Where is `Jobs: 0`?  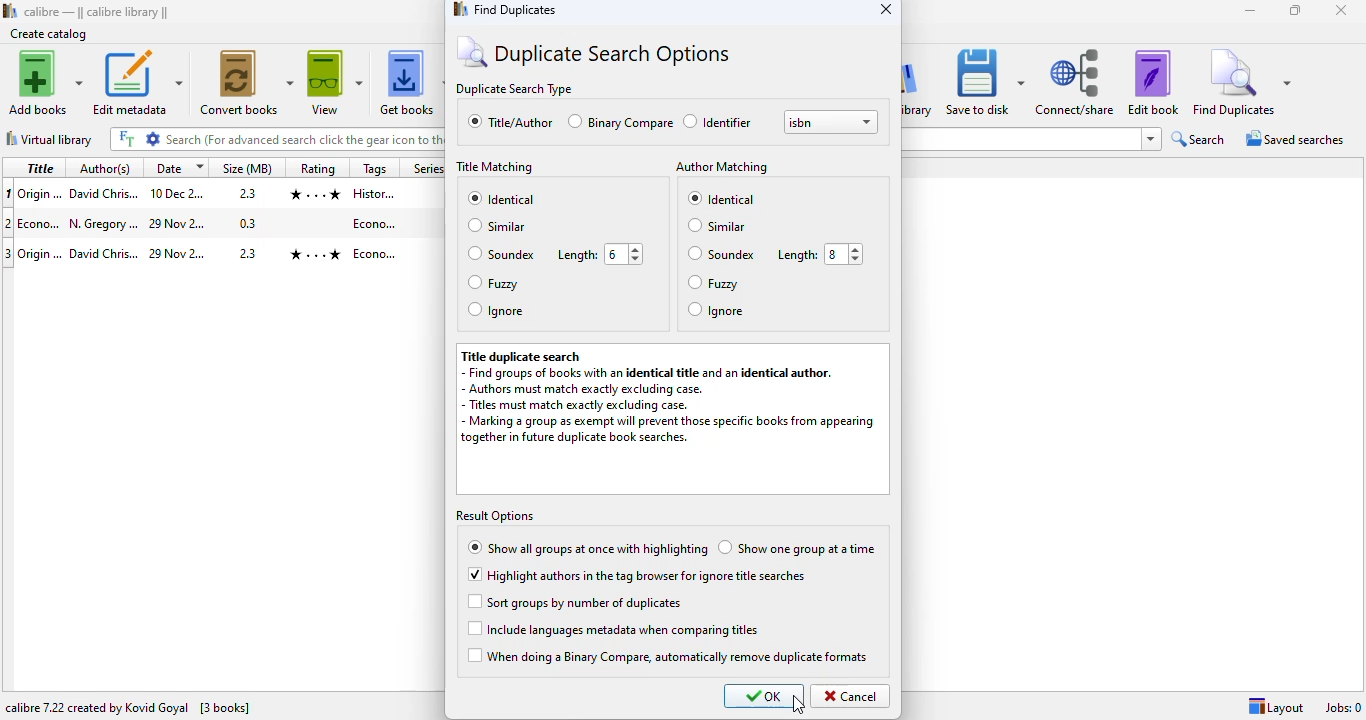 Jobs: 0 is located at coordinates (1340, 705).